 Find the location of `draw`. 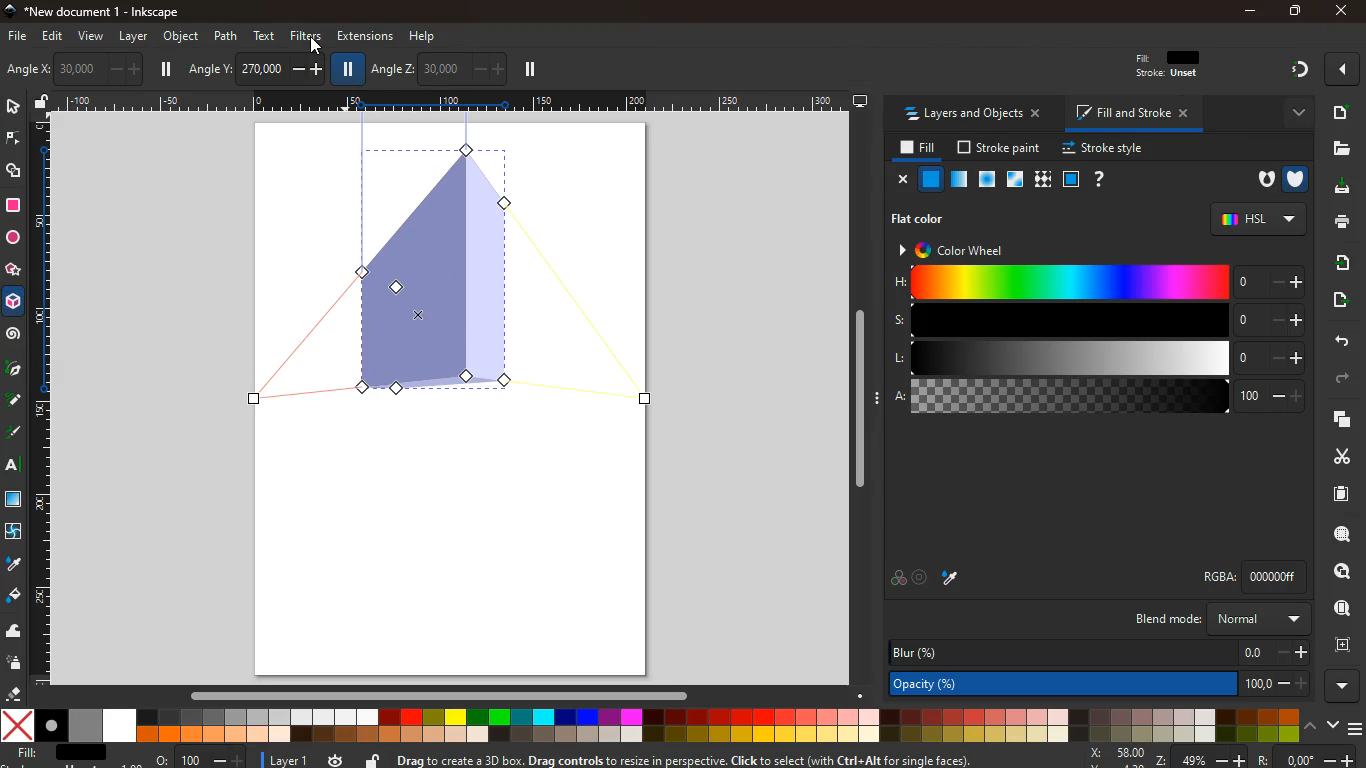

draw is located at coordinates (13, 404).